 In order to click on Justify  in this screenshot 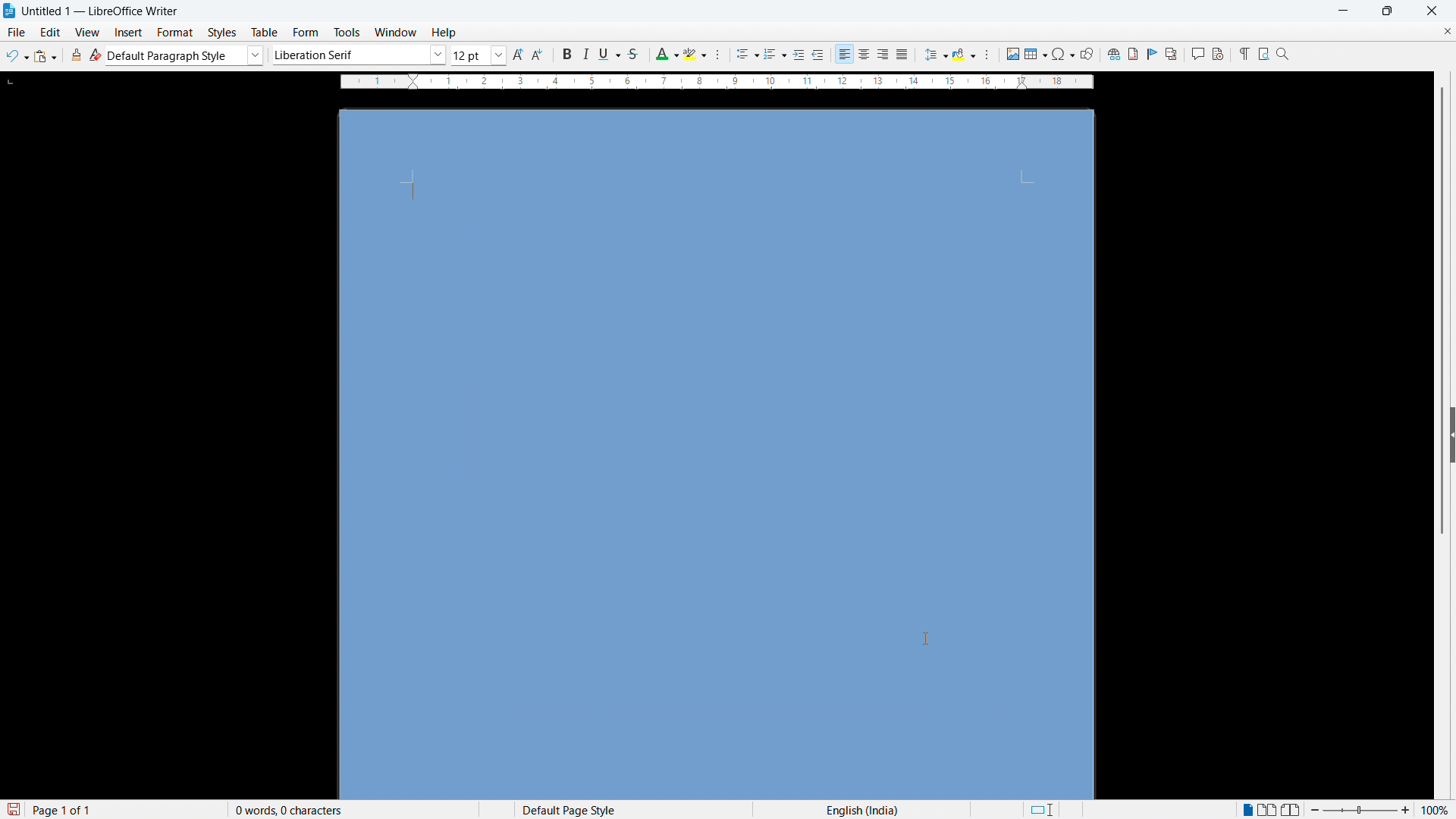, I will do `click(902, 54)`.